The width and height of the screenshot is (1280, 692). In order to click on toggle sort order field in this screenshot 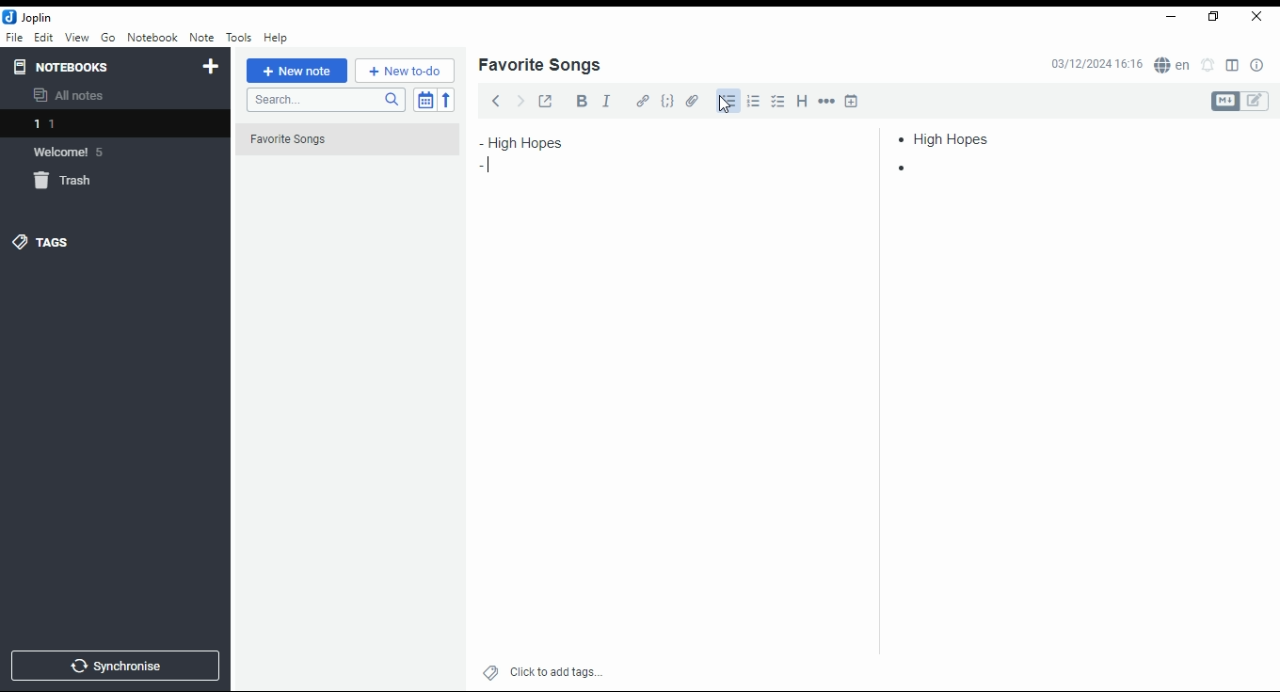, I will do `click(425, 100)`.